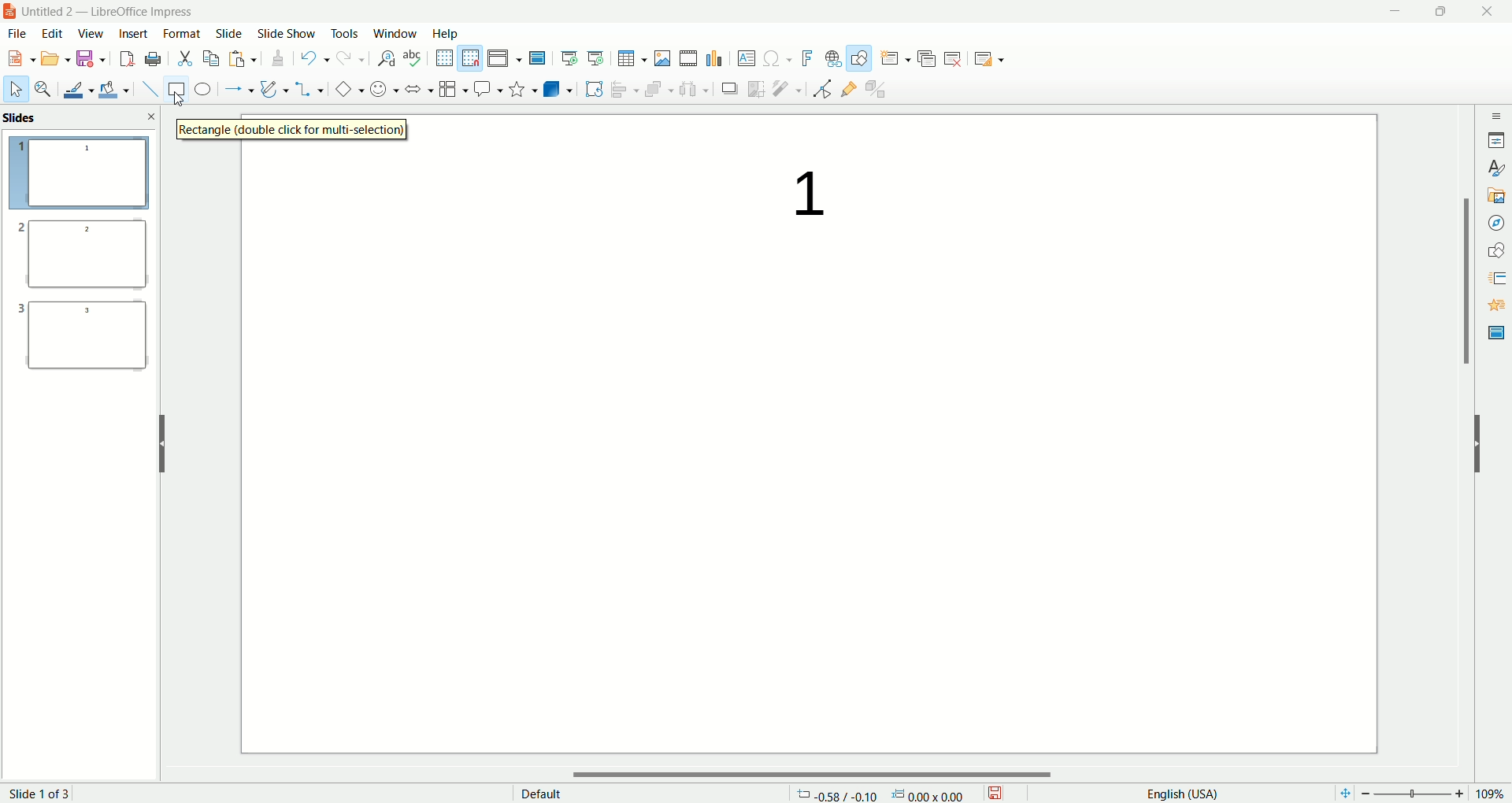 The width and height of the screenshot is (1512, 803). What do you see at coordinates (186, 57) in the screenshot?
I see `cut` at bounding box center [186, 57].